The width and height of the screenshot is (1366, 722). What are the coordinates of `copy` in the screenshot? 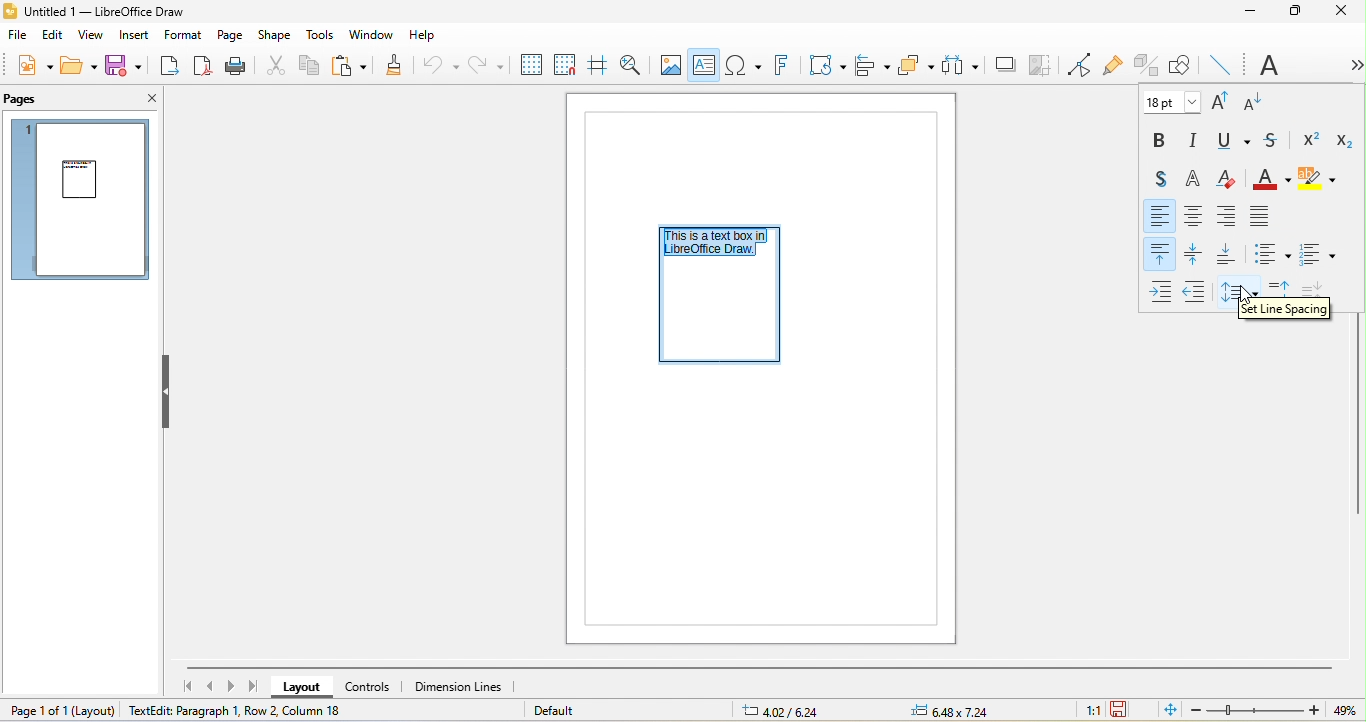 It's located at (312, 68).